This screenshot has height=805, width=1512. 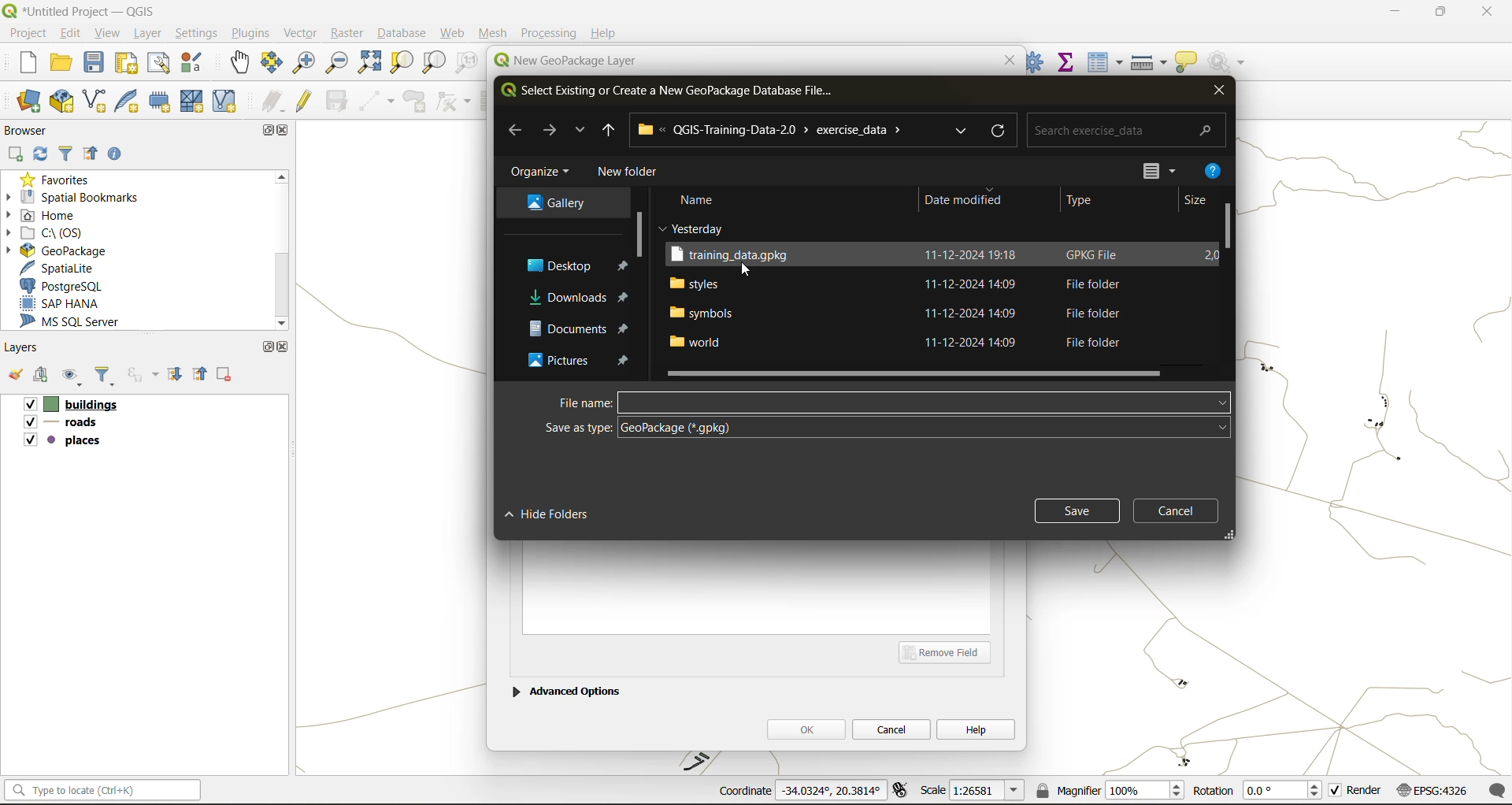 I want to click on open, so click(x=62, y=65).